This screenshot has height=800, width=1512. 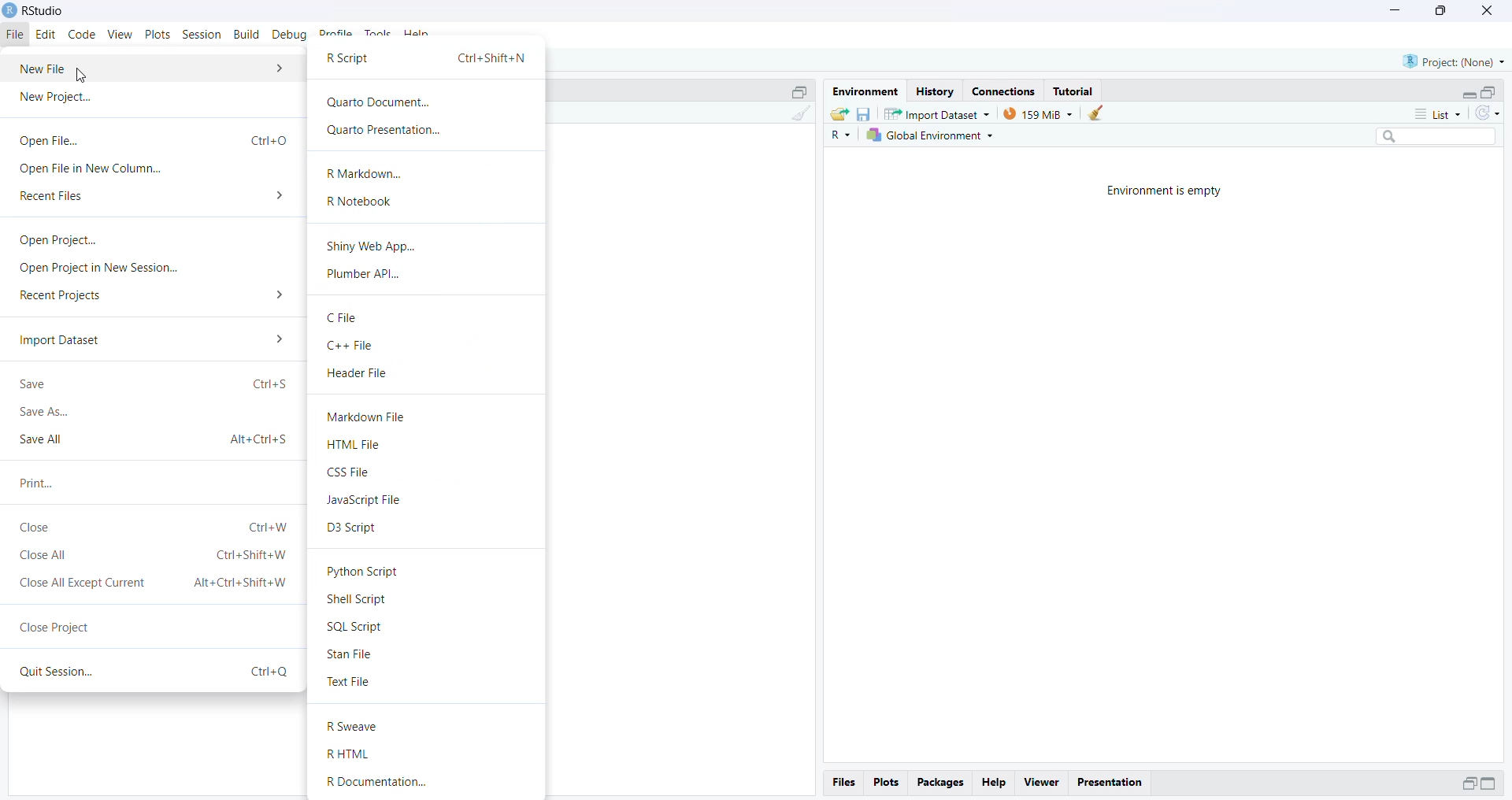 I want to click on close, so click(x=1484, y=10).